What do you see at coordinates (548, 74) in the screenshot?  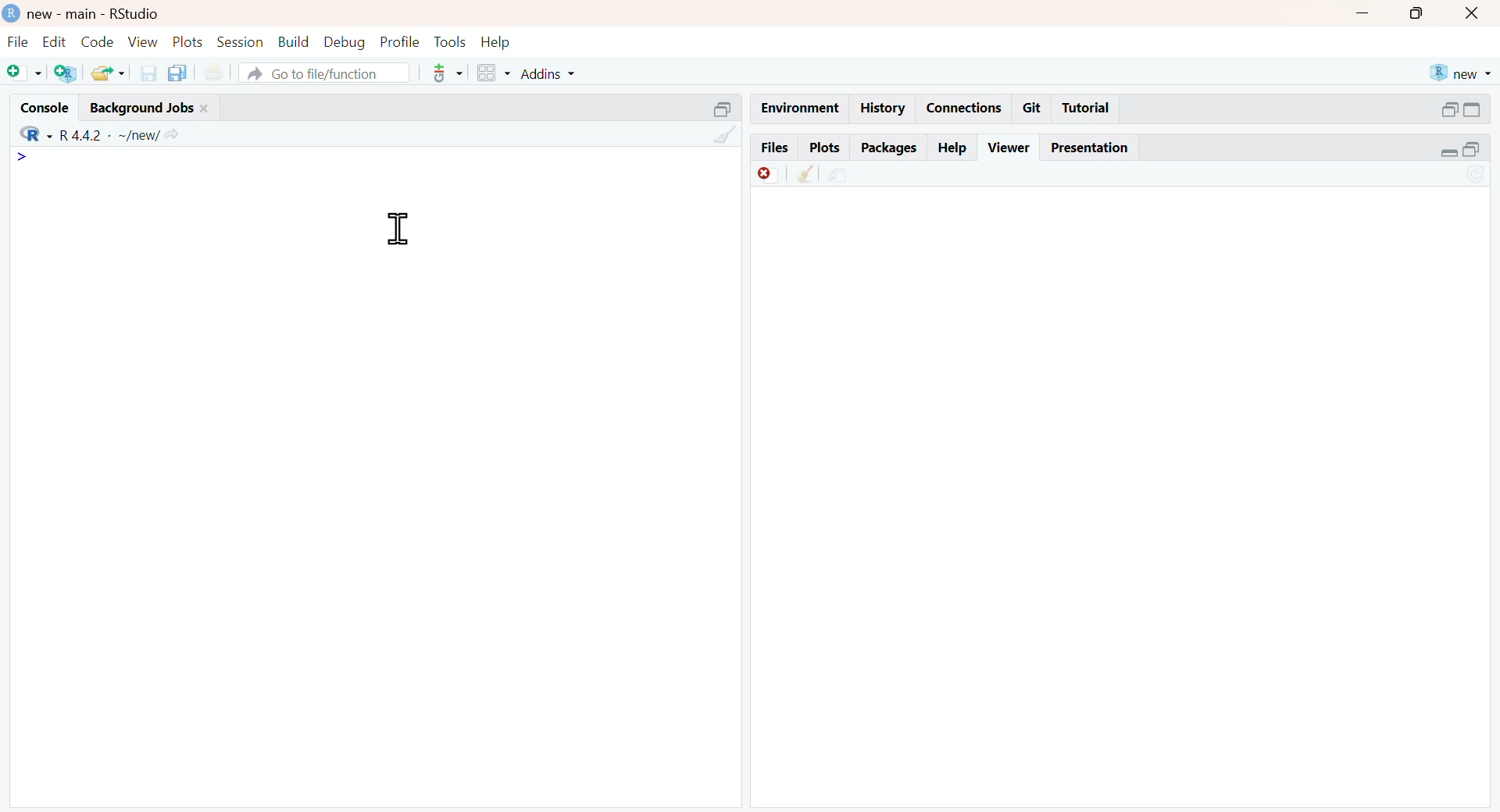 I see `Addins +` at bounding box center [548, 74].